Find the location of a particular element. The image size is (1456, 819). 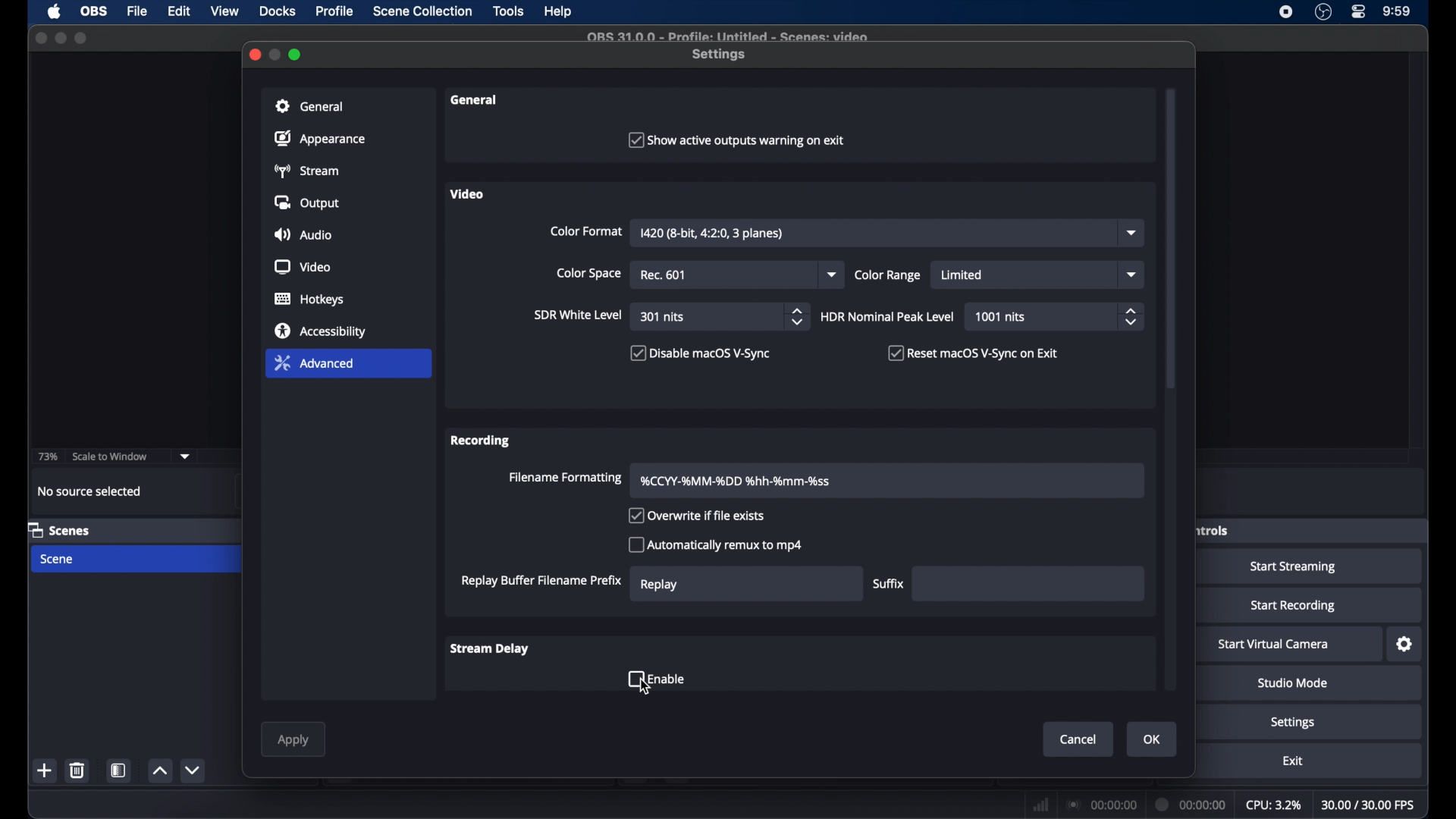

tools is located at coordinates (510, 12).